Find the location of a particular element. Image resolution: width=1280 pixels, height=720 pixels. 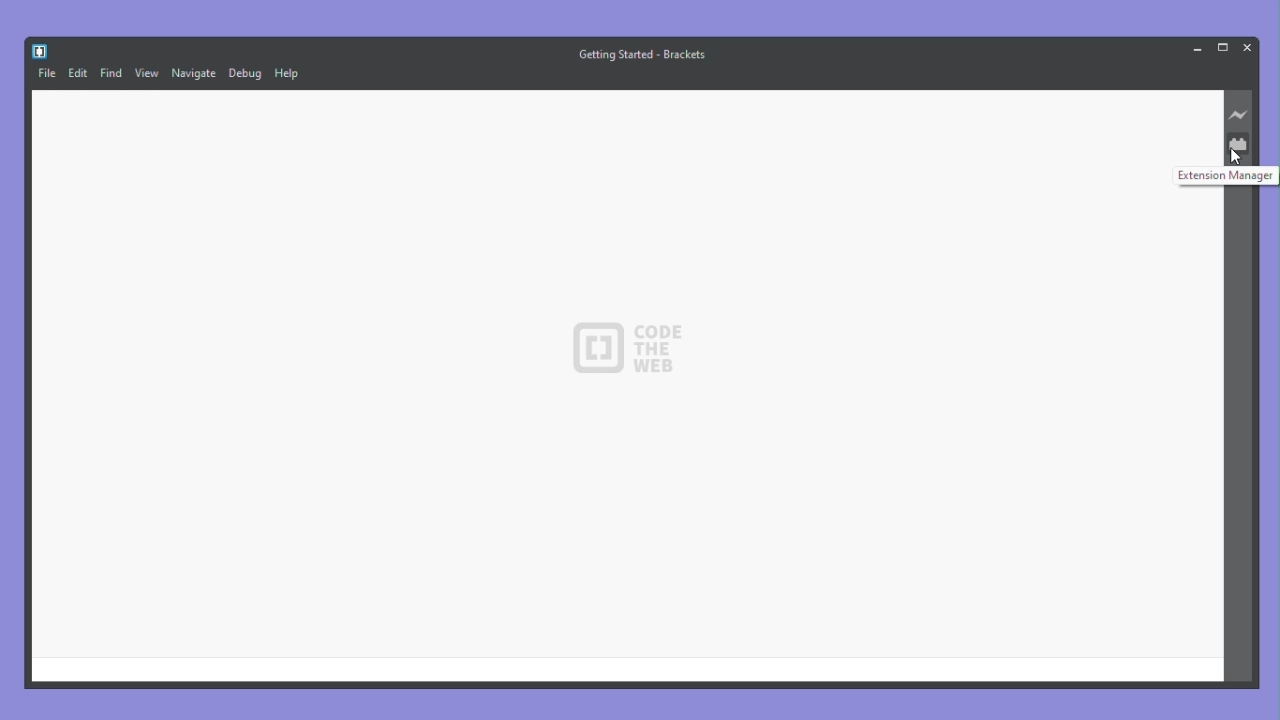

File is located at coordinates (47, 74).